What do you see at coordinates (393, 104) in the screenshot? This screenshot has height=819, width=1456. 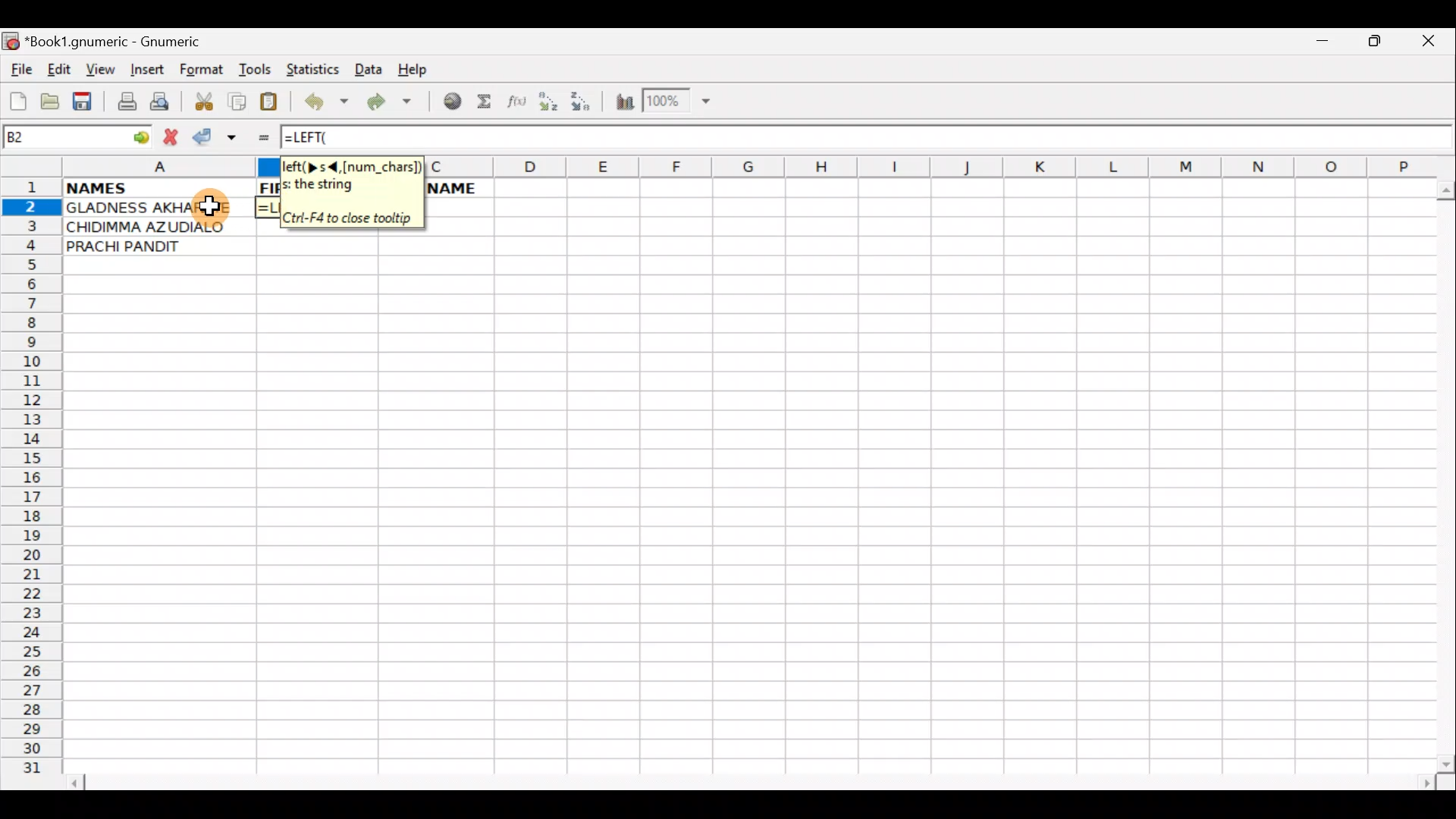 I see `Redo undone action` at bounding box center [393, 104].